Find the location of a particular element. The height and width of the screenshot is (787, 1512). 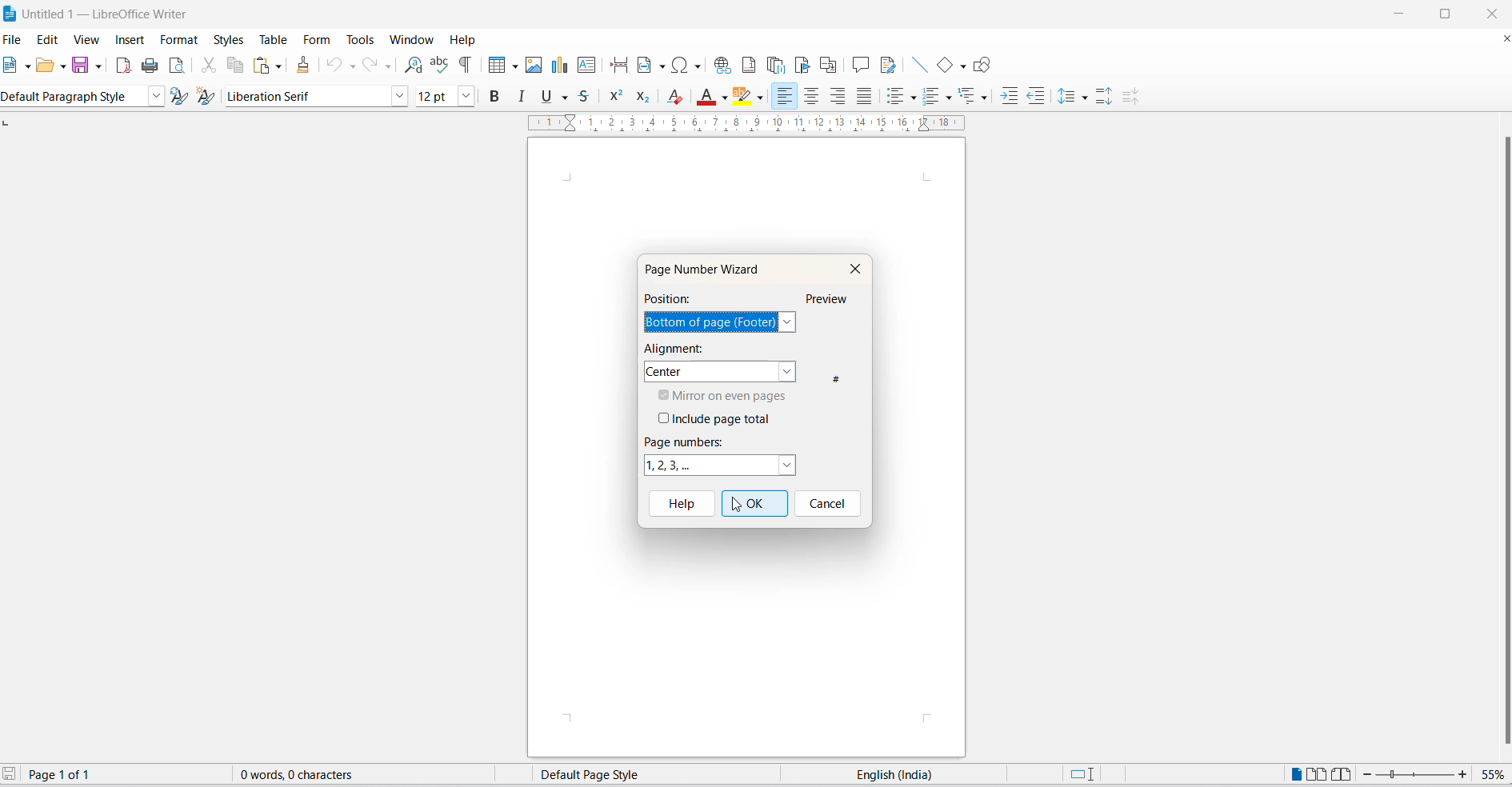

underline options is located at coordinates (565, 98).